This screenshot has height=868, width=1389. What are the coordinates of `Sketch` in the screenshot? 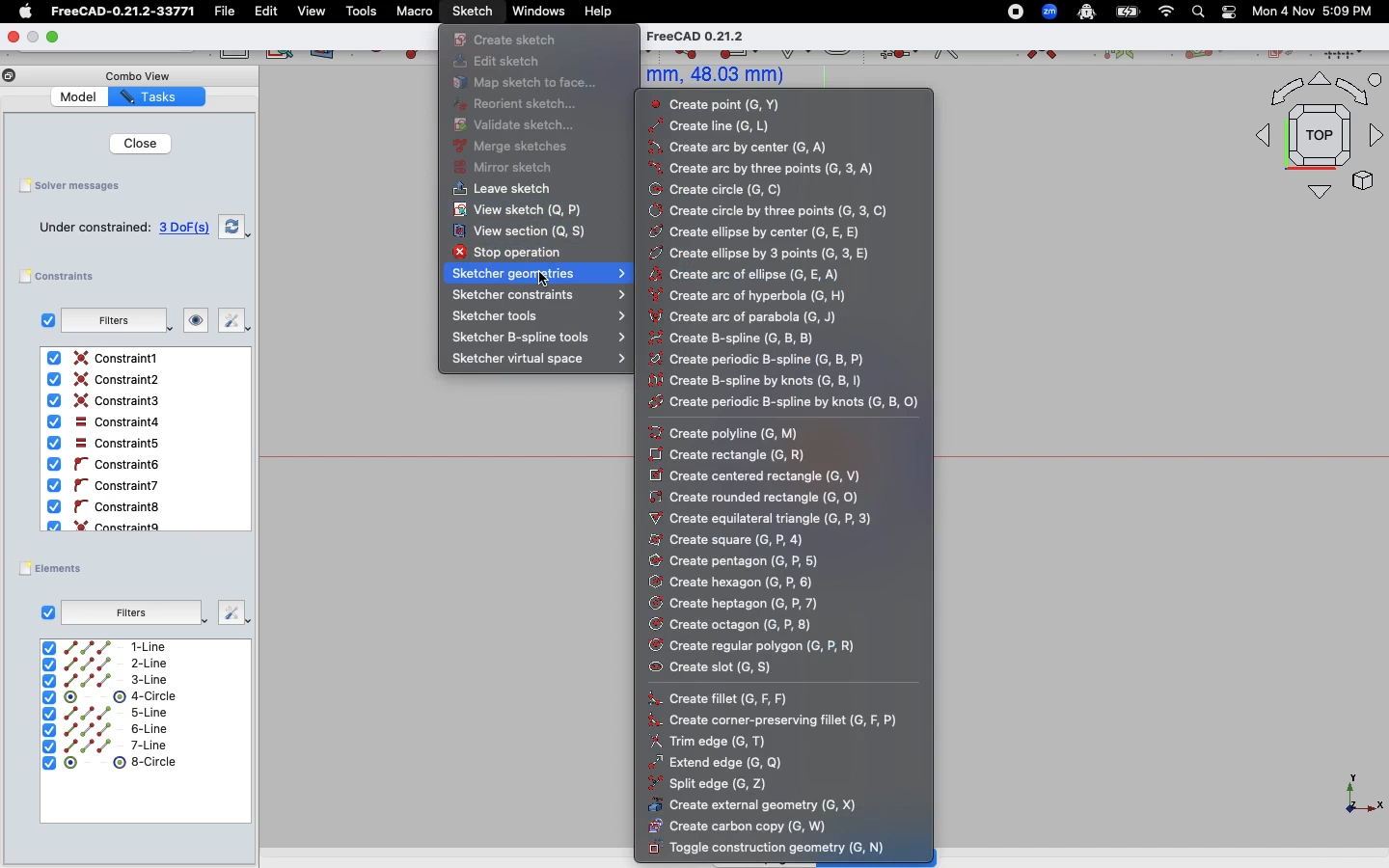 It's located at (474, 12).